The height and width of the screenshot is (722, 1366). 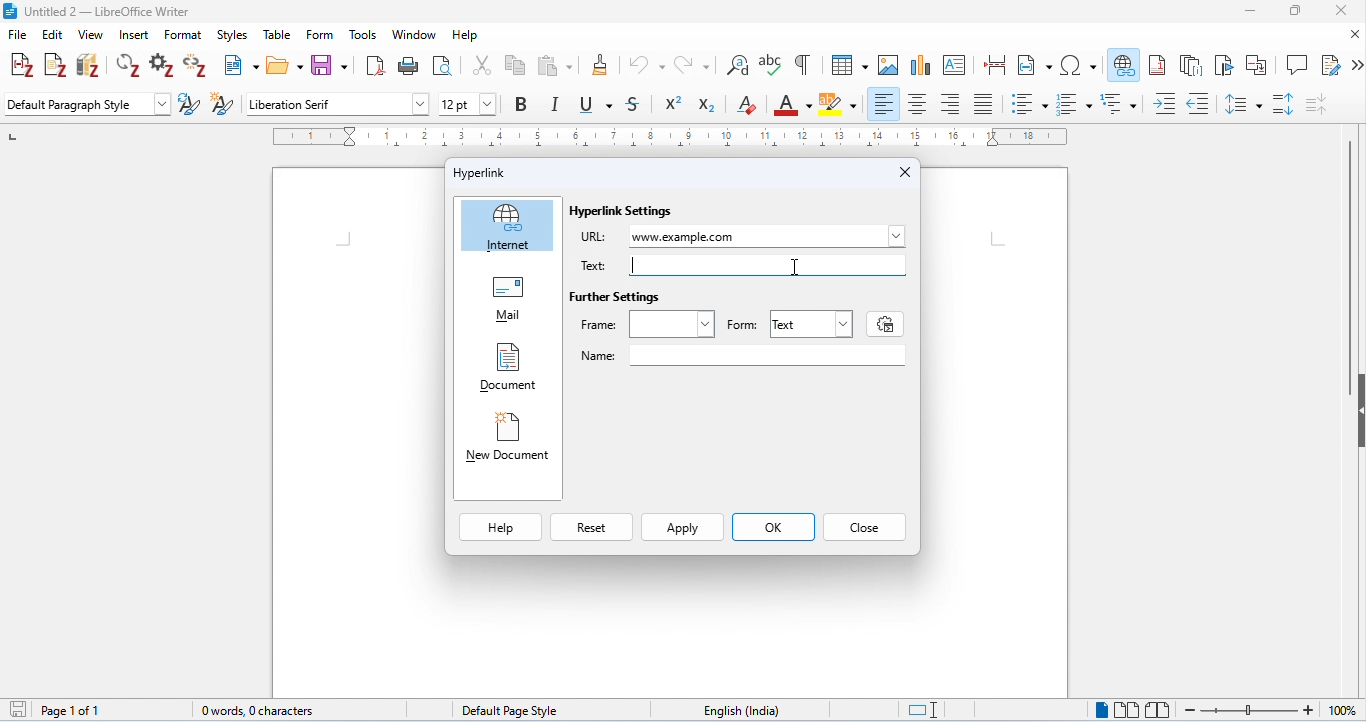 What do you see at coordinates (330, 65) in the screenshot?
I see `save` at bounding box center [330, 65].